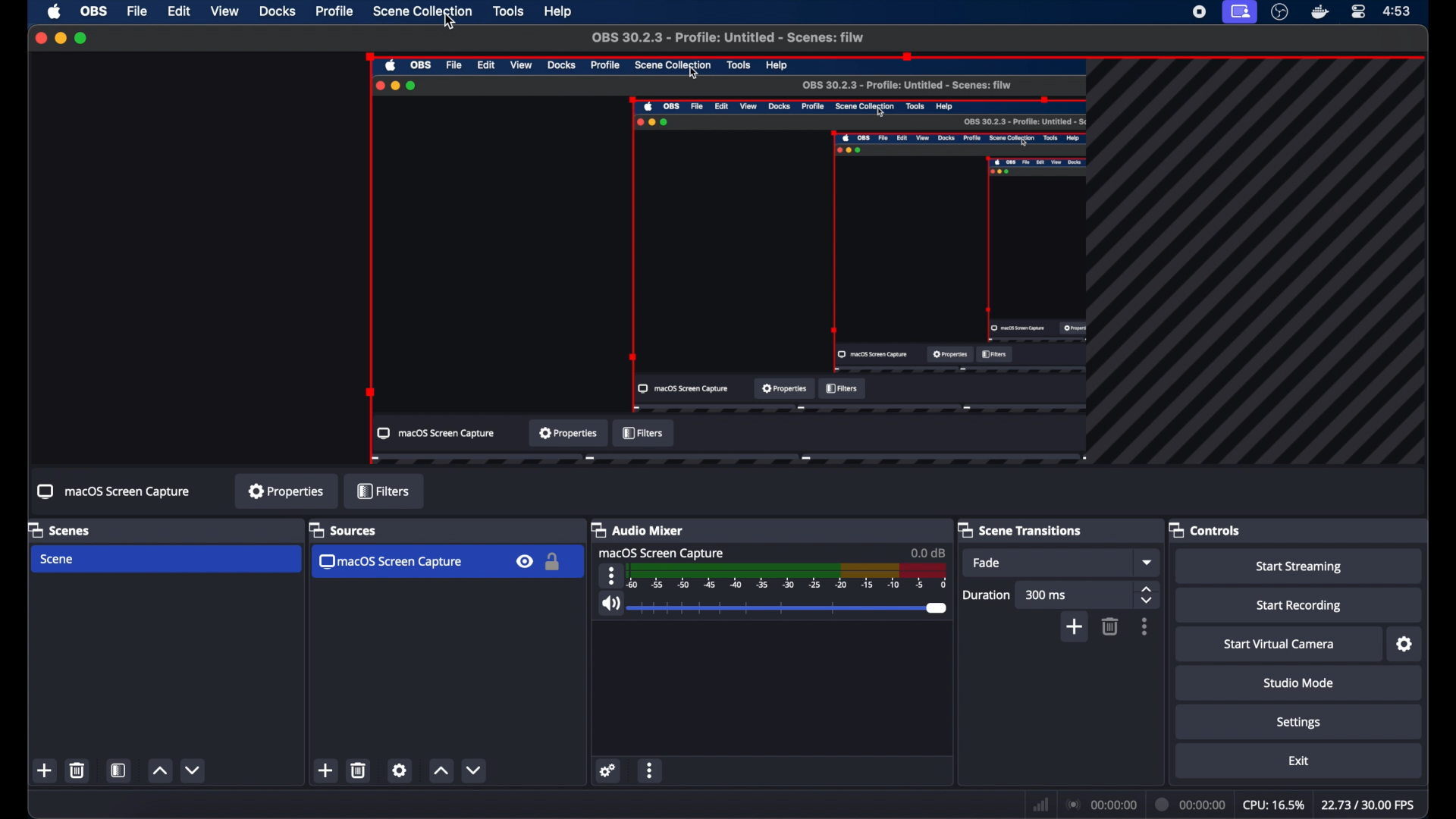  Describe the element at coordinates (1303, 604) in the screenshot. I see `start recording` at that location.